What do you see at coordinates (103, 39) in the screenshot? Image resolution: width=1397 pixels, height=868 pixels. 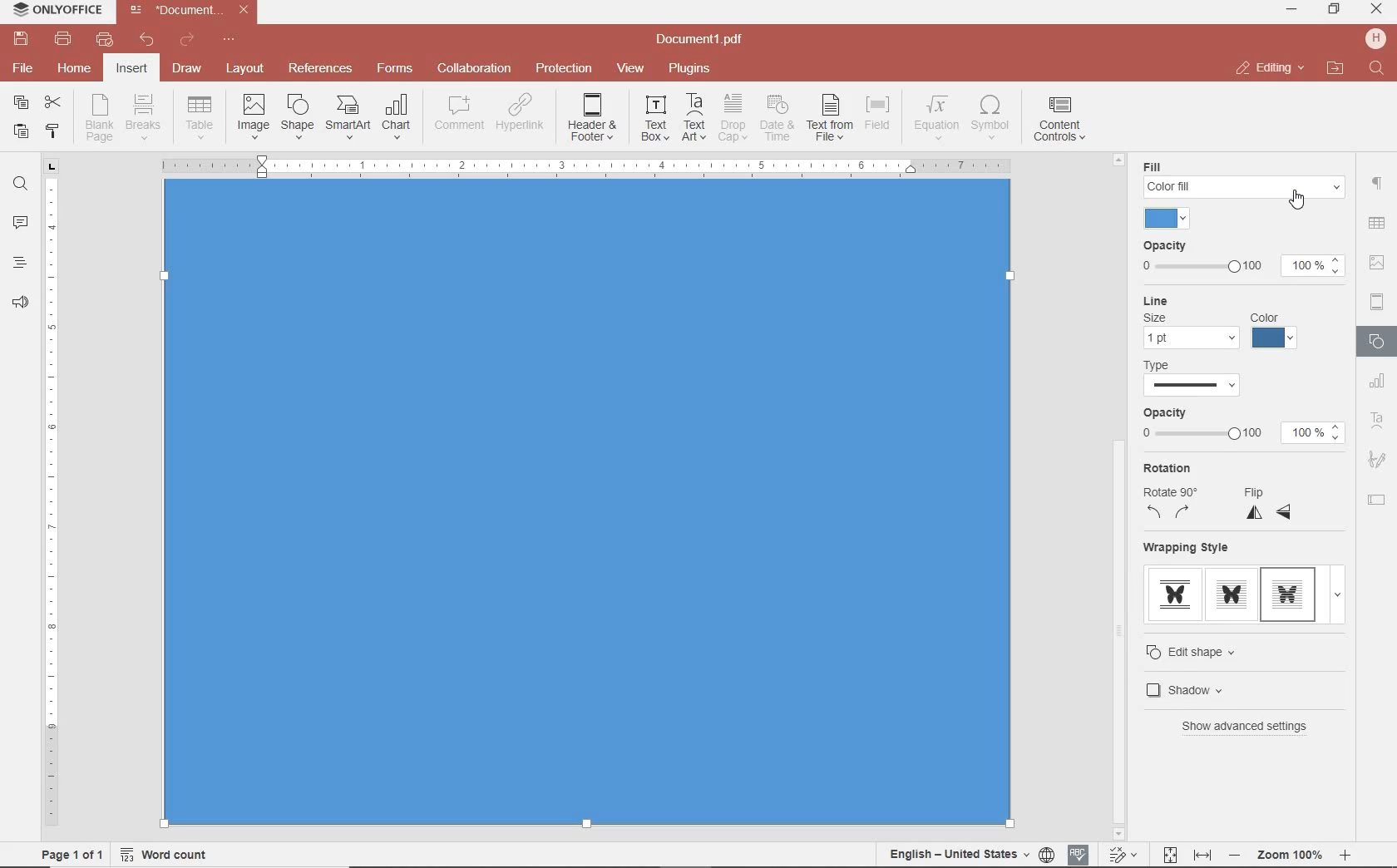 I see `quick print` at bounding box center [103, 39].